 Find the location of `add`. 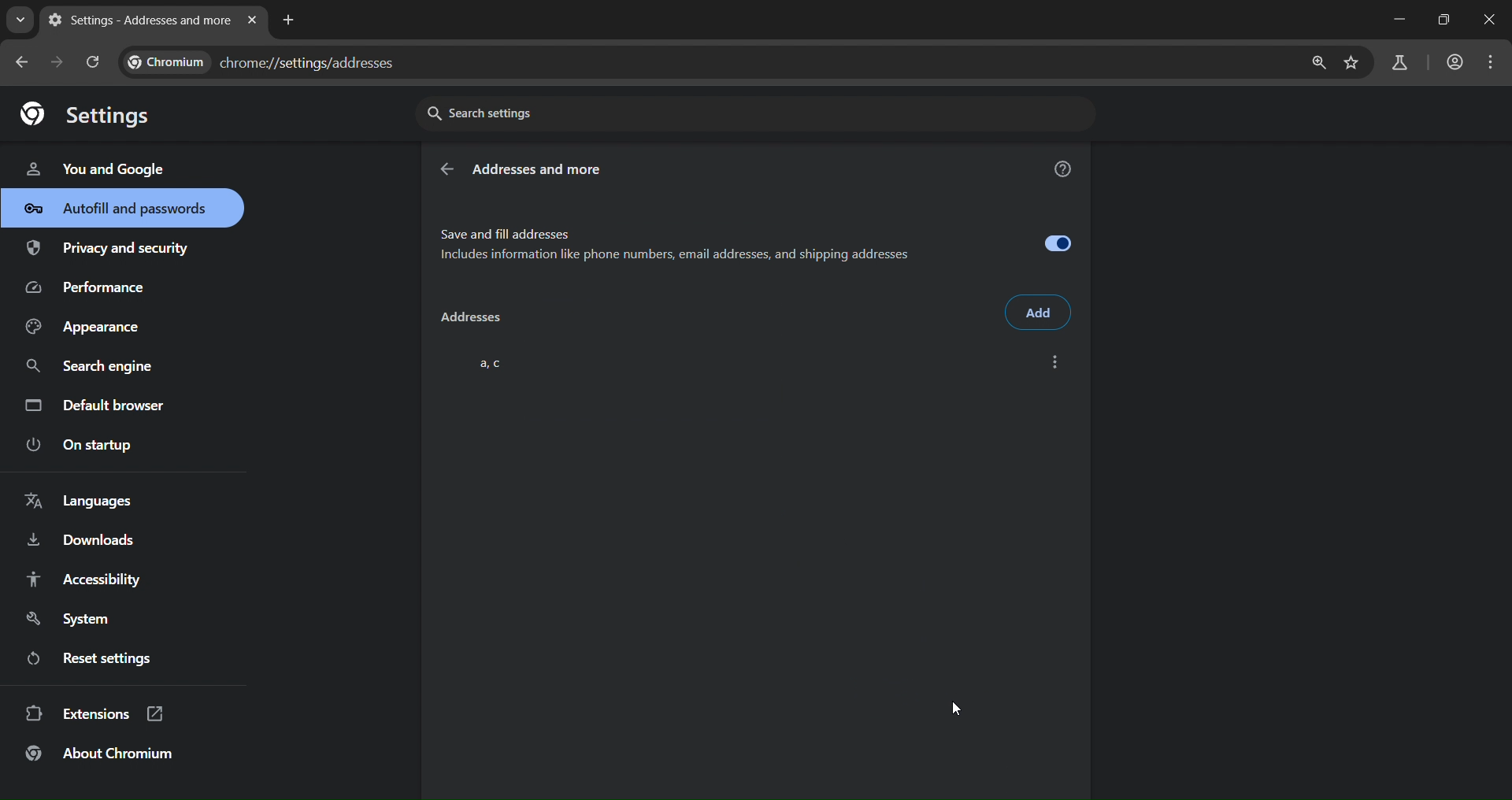

add is located at coordinates (1039, 313).